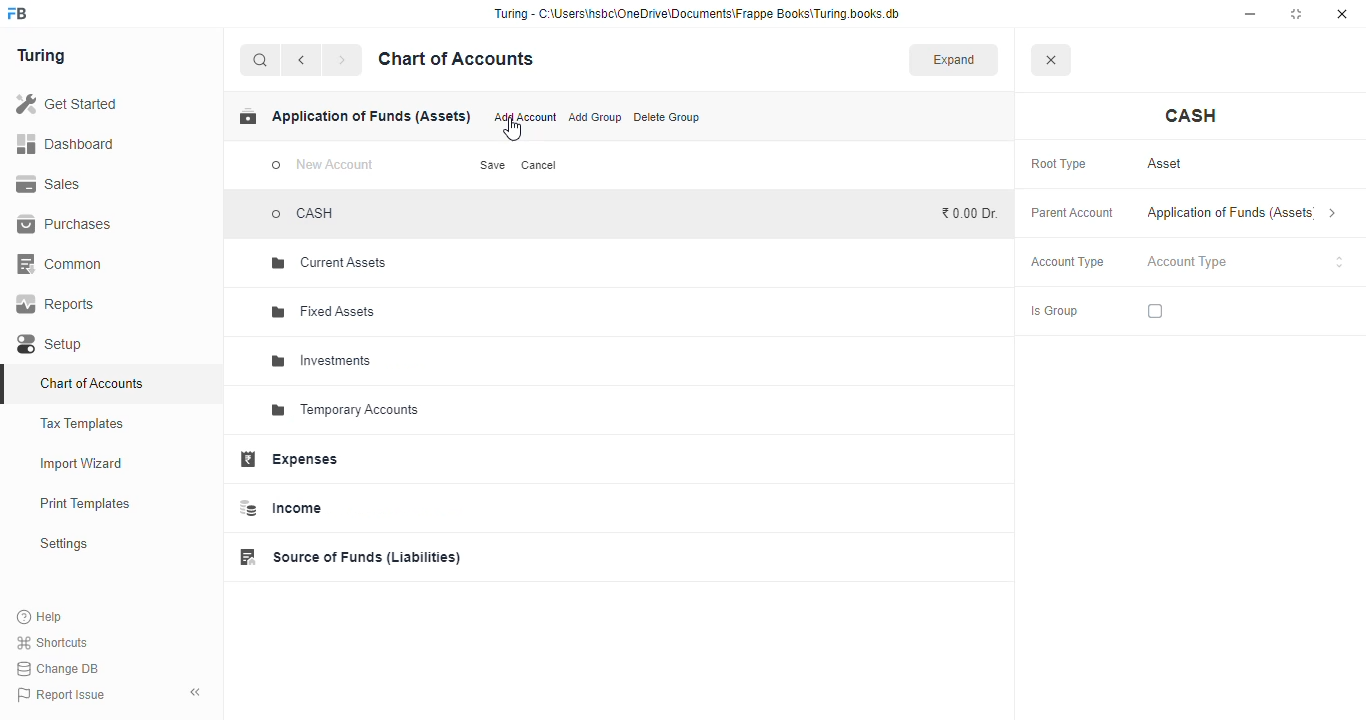 The image size is (1366, 720). What do you see at coordinates (325, 312) in the screenshot?
I see `fixed assets` at bounding box center [325, 312].